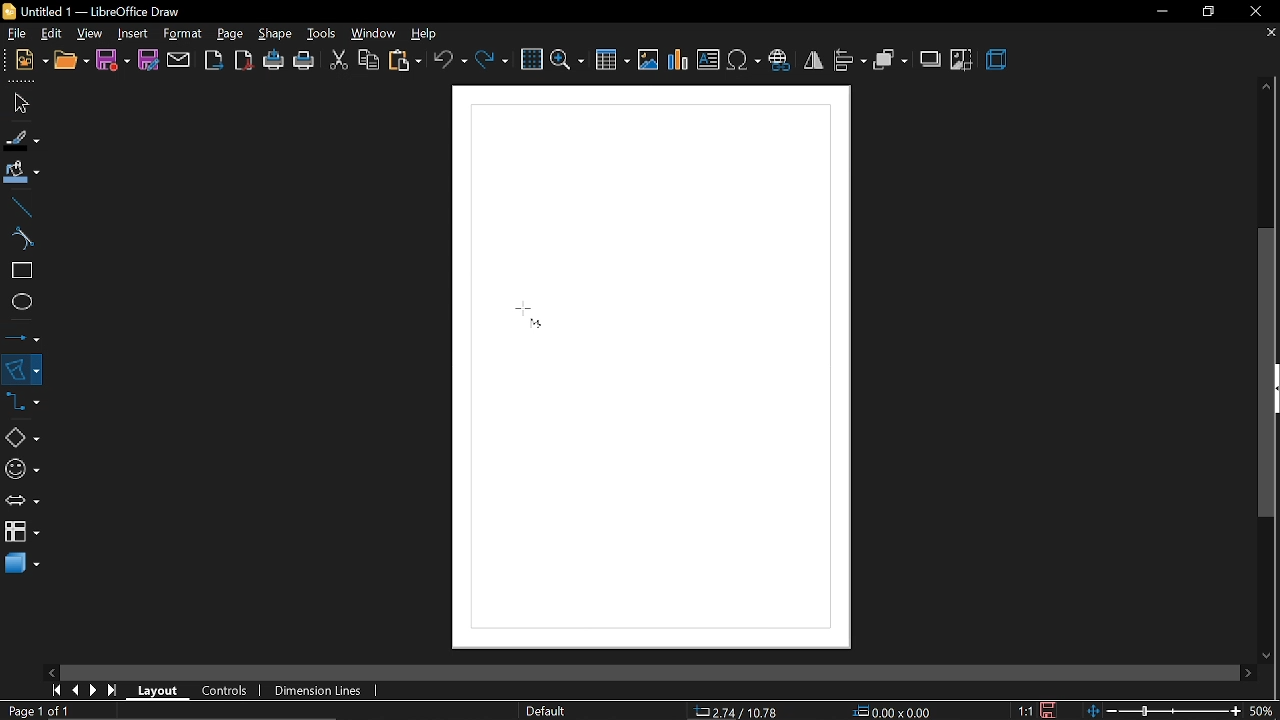 The height and width of the screenshot is (720, 1280). I want to click on fill color, so click(19, 172).